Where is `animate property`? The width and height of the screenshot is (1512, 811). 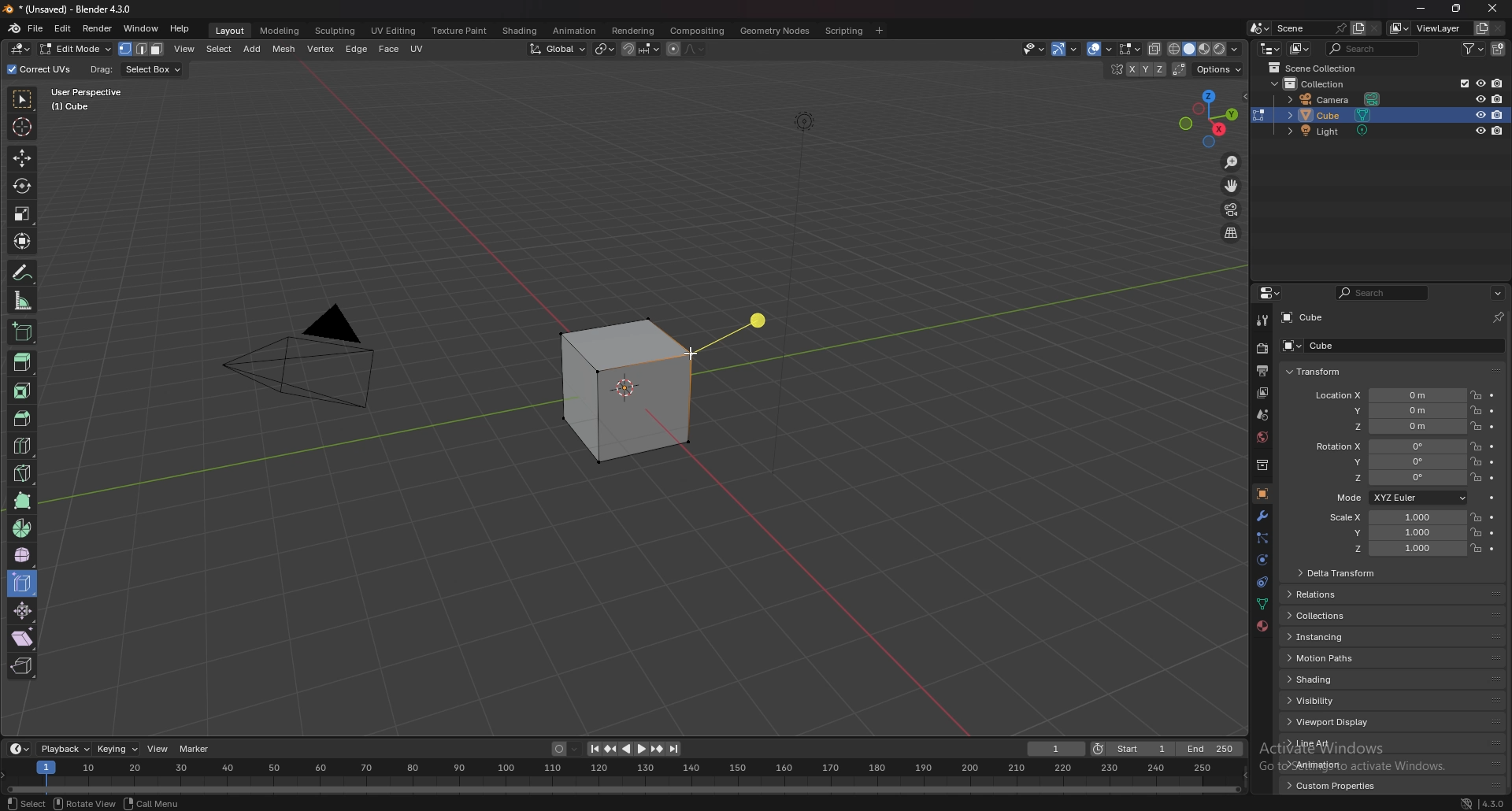
animate property is located at coordinates (1493, 477).